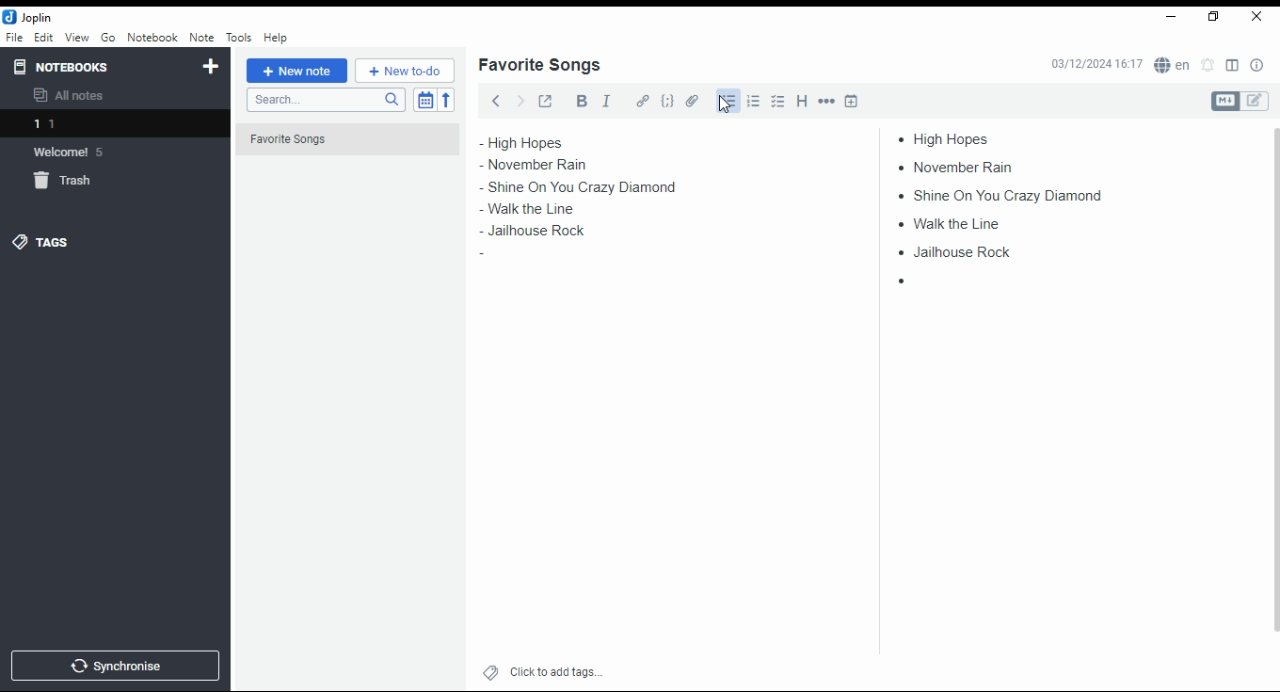 Image resolution: width=1280 pixels, height=692 pixels. I want to click on restore, so click(1216, 17).